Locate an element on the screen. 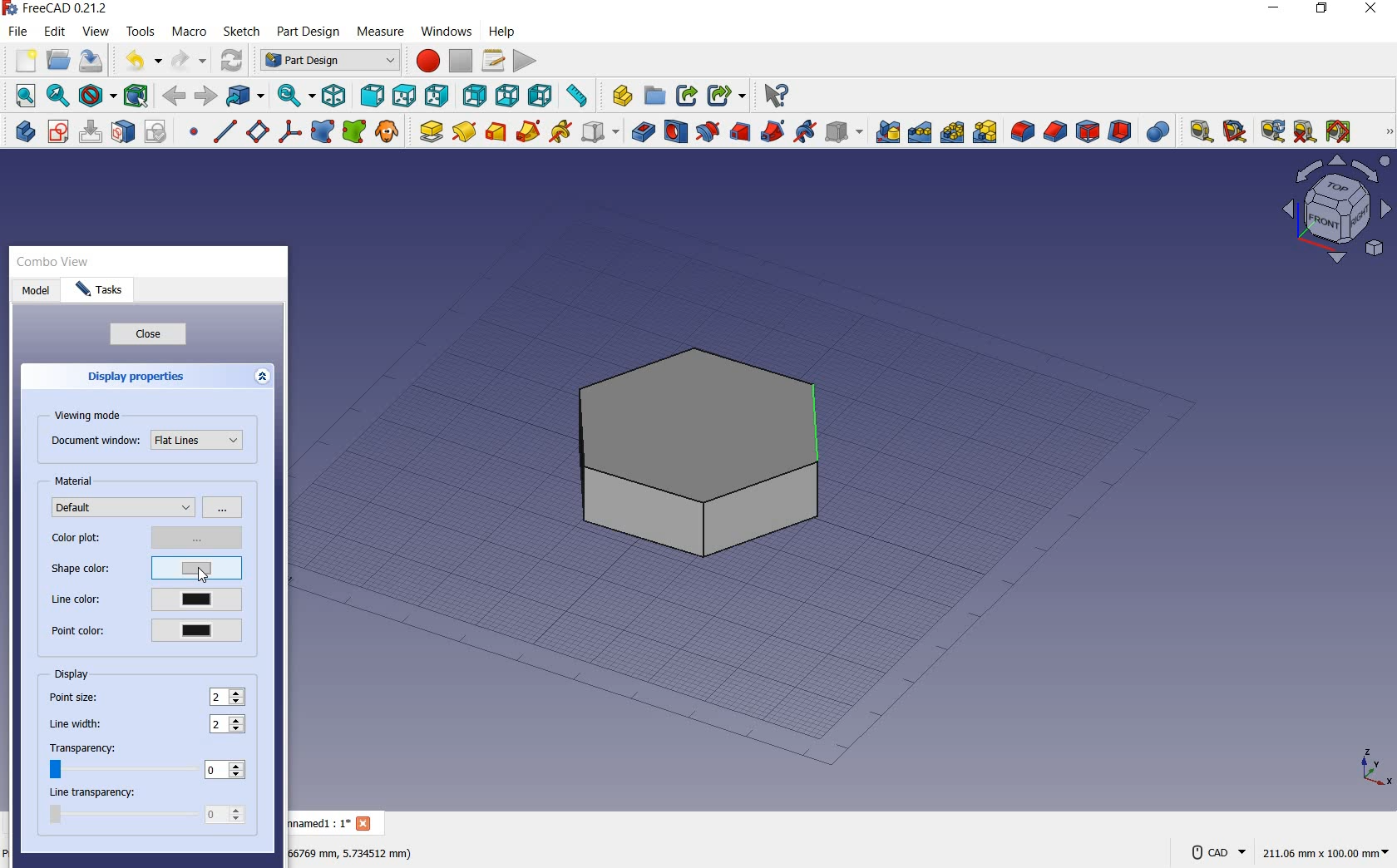 Image resolution: width=1397 pixels, height=868 pixels. display is located at coordinates (68, 674).